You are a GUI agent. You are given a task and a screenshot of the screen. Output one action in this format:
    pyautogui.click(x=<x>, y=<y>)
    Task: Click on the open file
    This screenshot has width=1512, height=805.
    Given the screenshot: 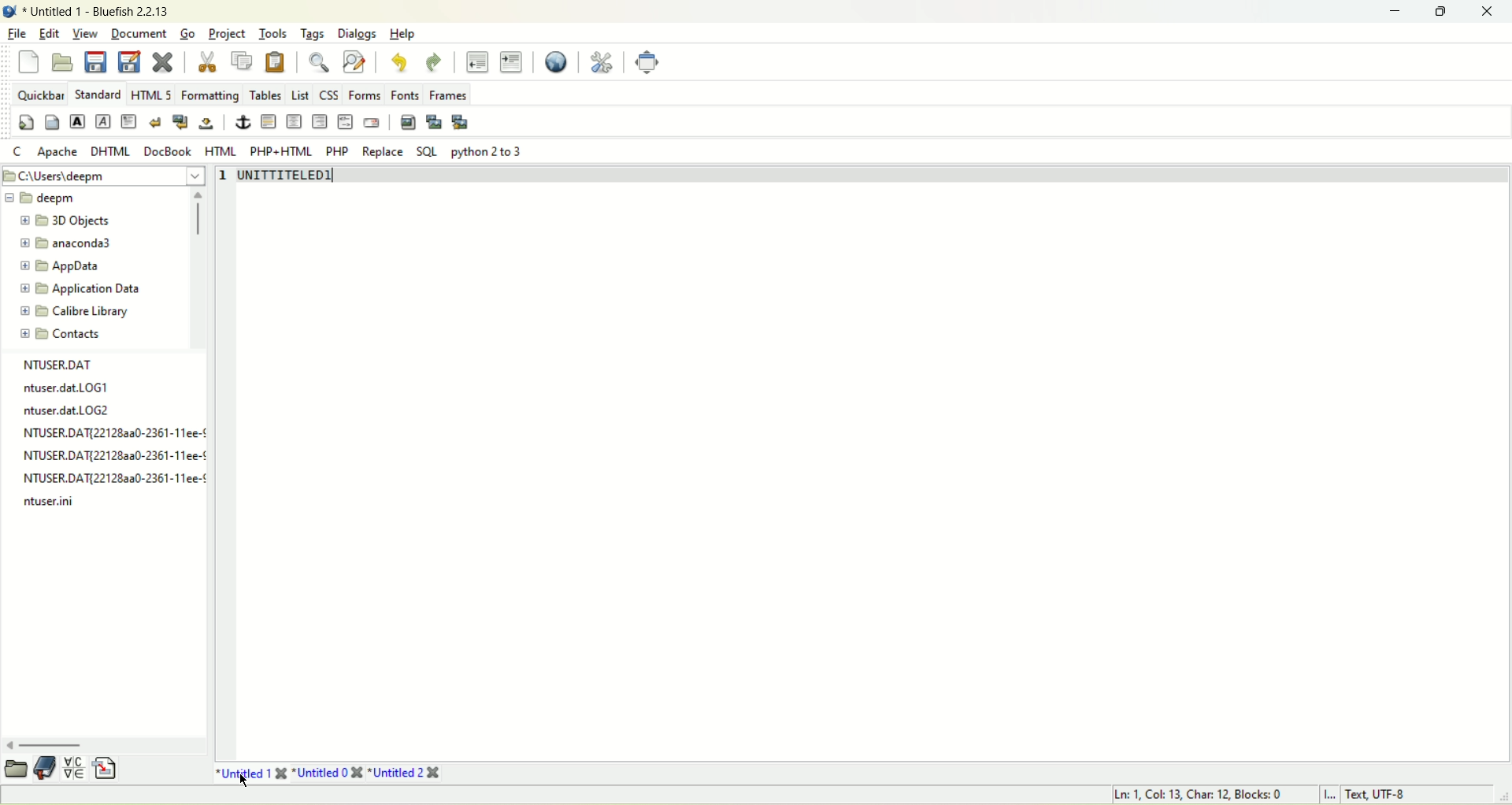 What is the action you would take?
    pyautogui.click(x=61, y=61)
    